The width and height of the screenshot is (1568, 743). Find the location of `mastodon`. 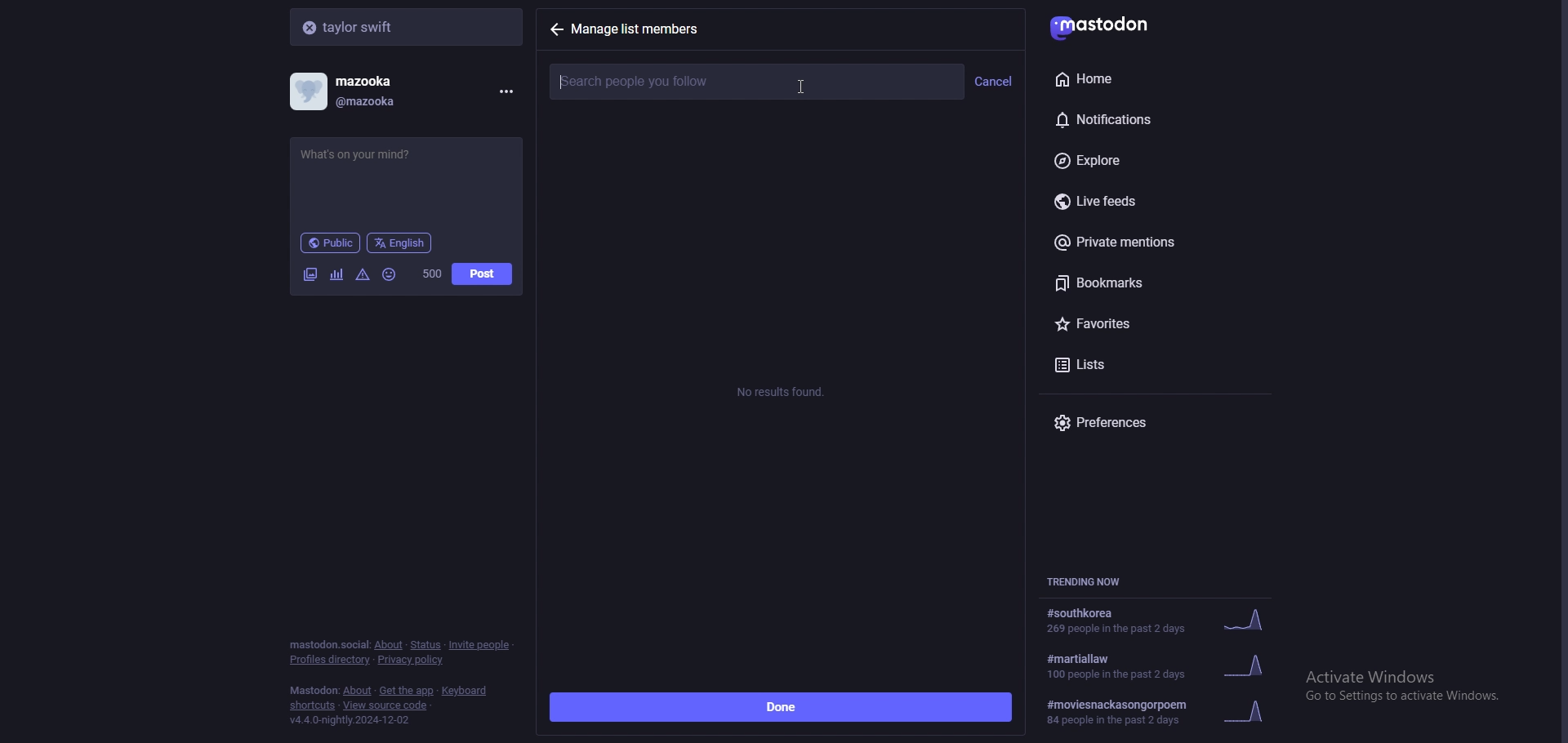

mastodon is located at coordinates (1111, 24).